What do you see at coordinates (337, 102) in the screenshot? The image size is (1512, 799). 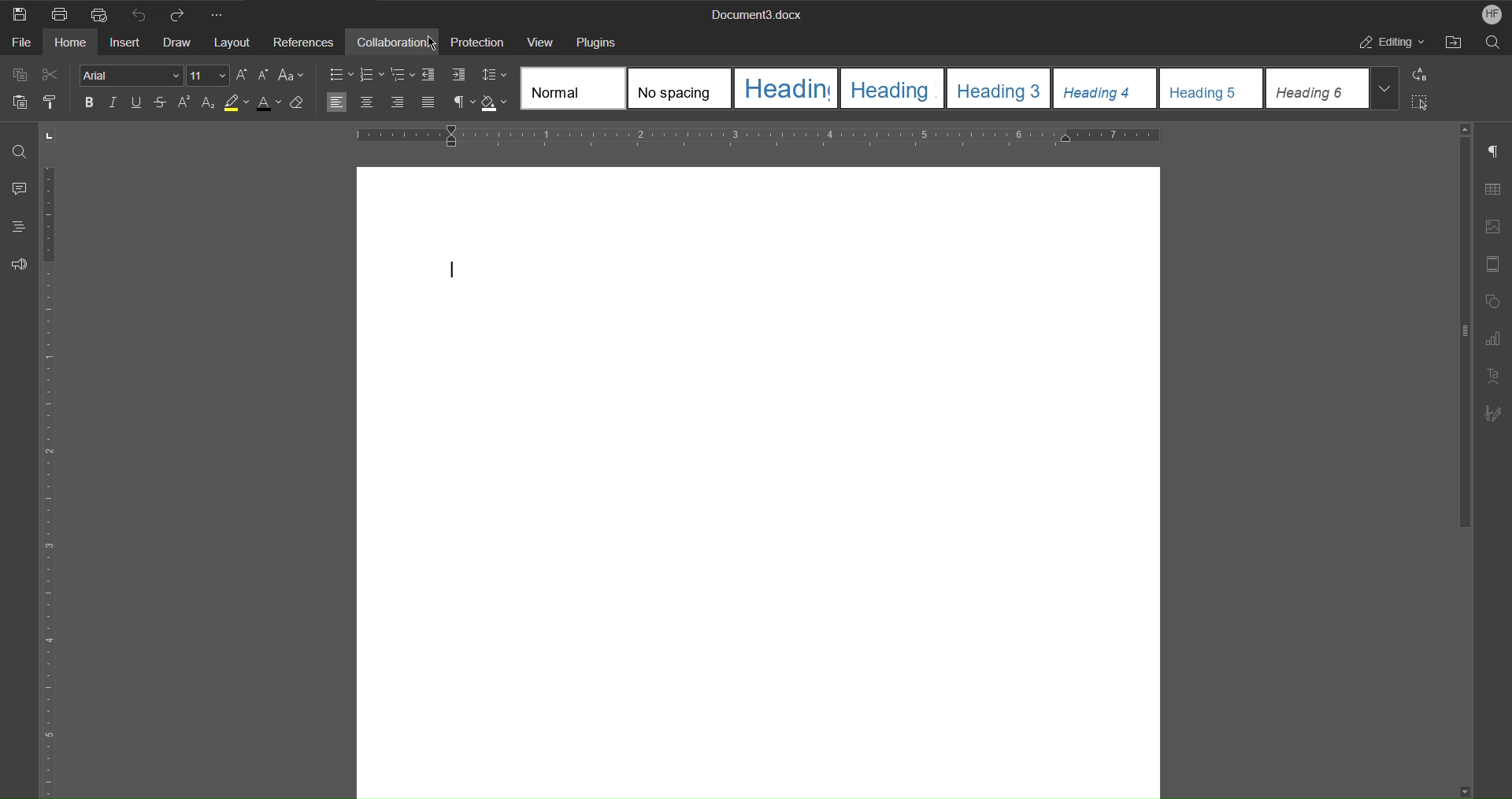 I see `Alignment` at bounding box center [337, 102].